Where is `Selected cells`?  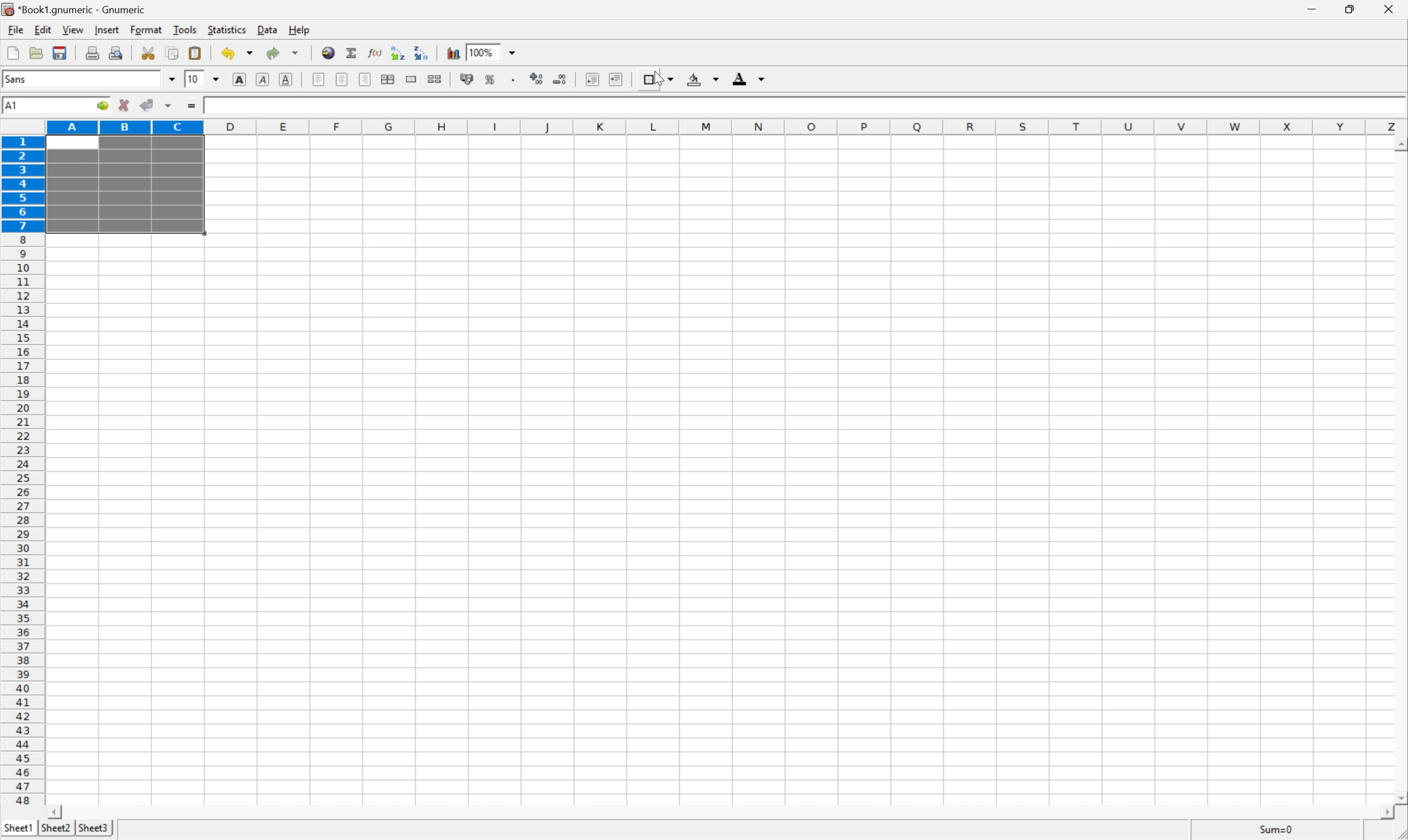 Selected cells is located at coordinates (124, 186).